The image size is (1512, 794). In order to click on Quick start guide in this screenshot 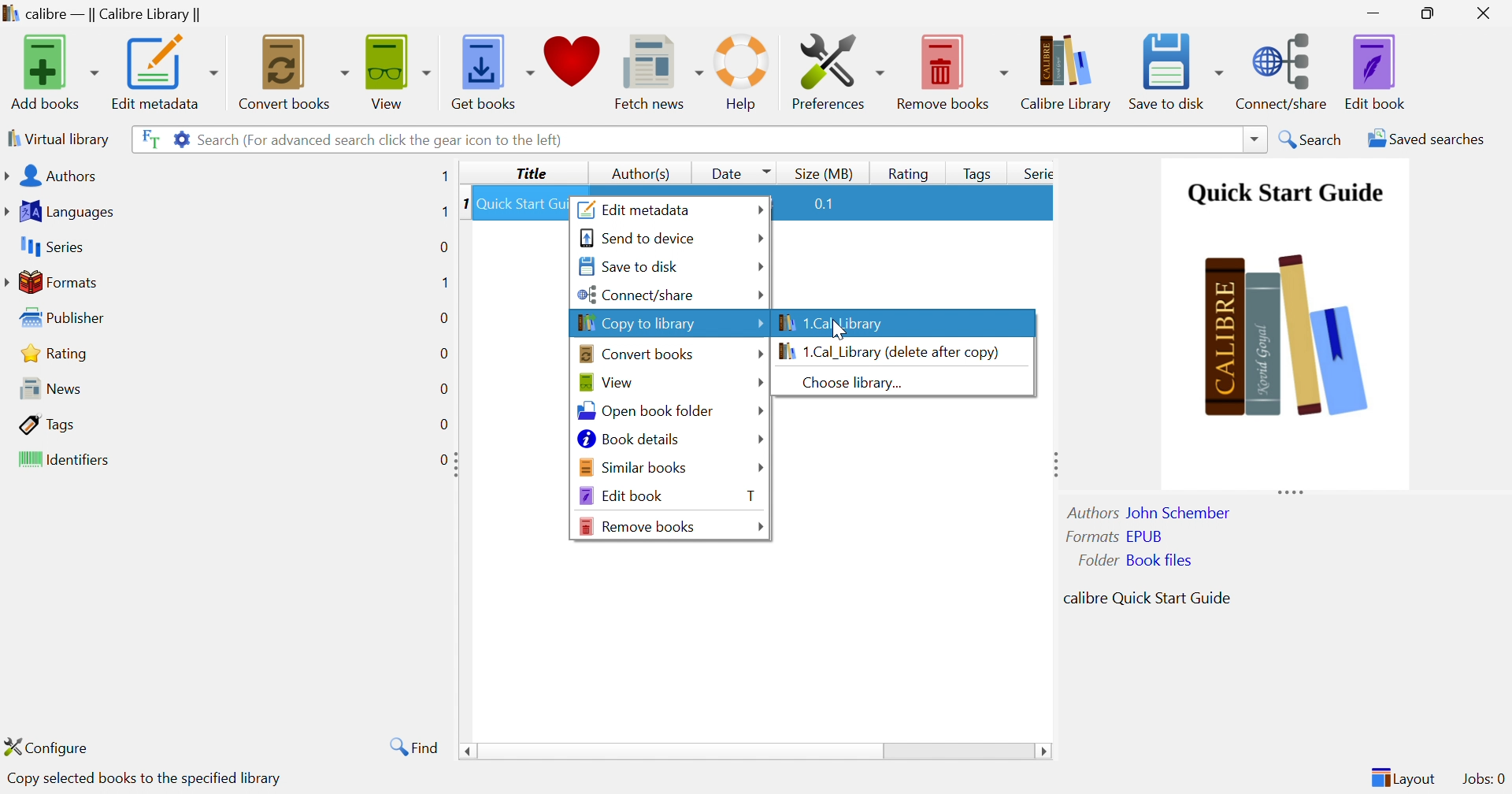, I will do `click(1284, 194)`.